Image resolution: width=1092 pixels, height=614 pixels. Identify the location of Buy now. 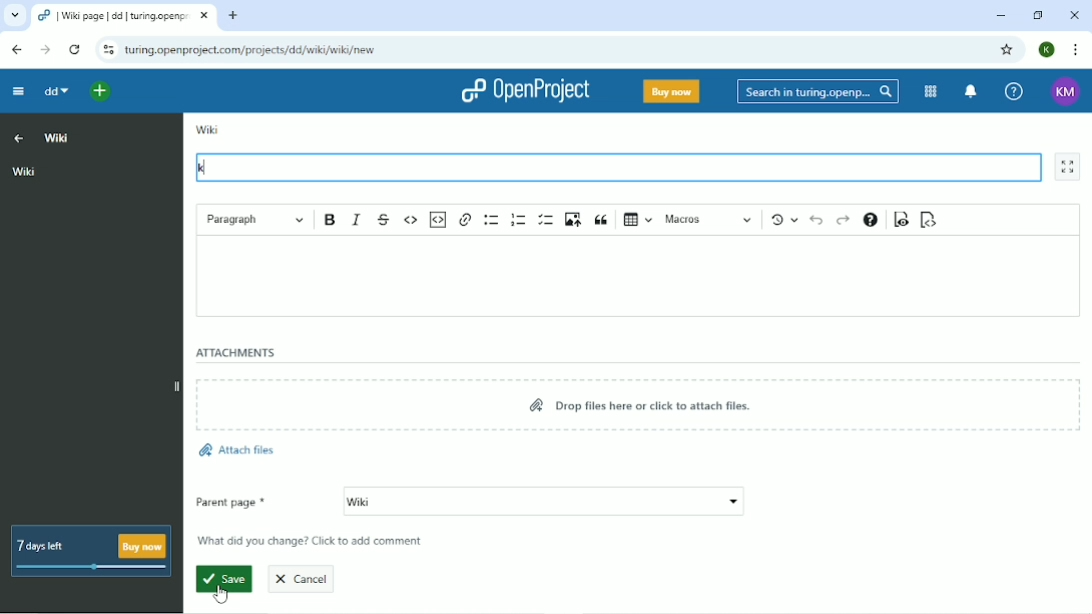
(673, 92).